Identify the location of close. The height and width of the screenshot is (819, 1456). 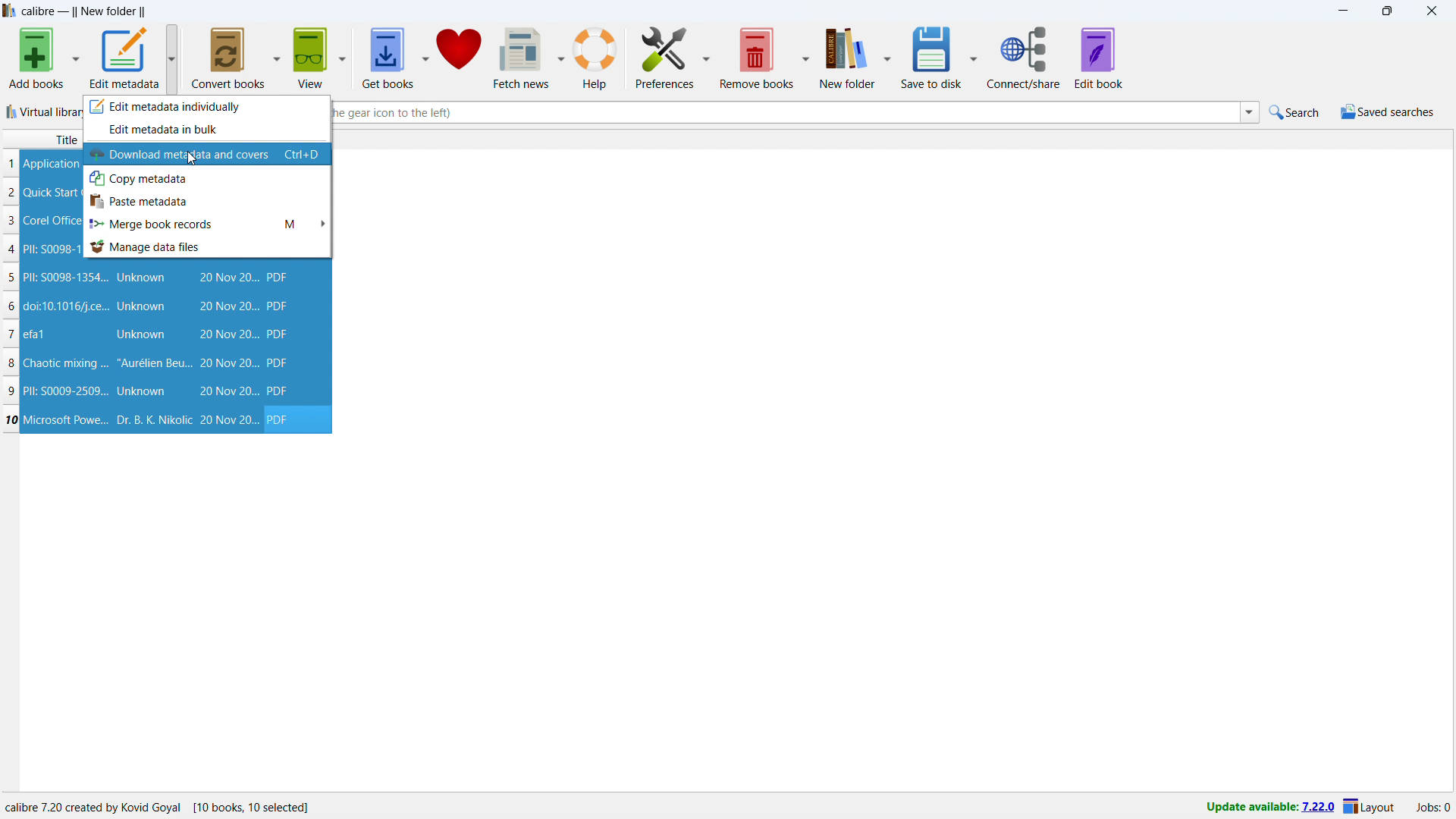
(1431, 11).